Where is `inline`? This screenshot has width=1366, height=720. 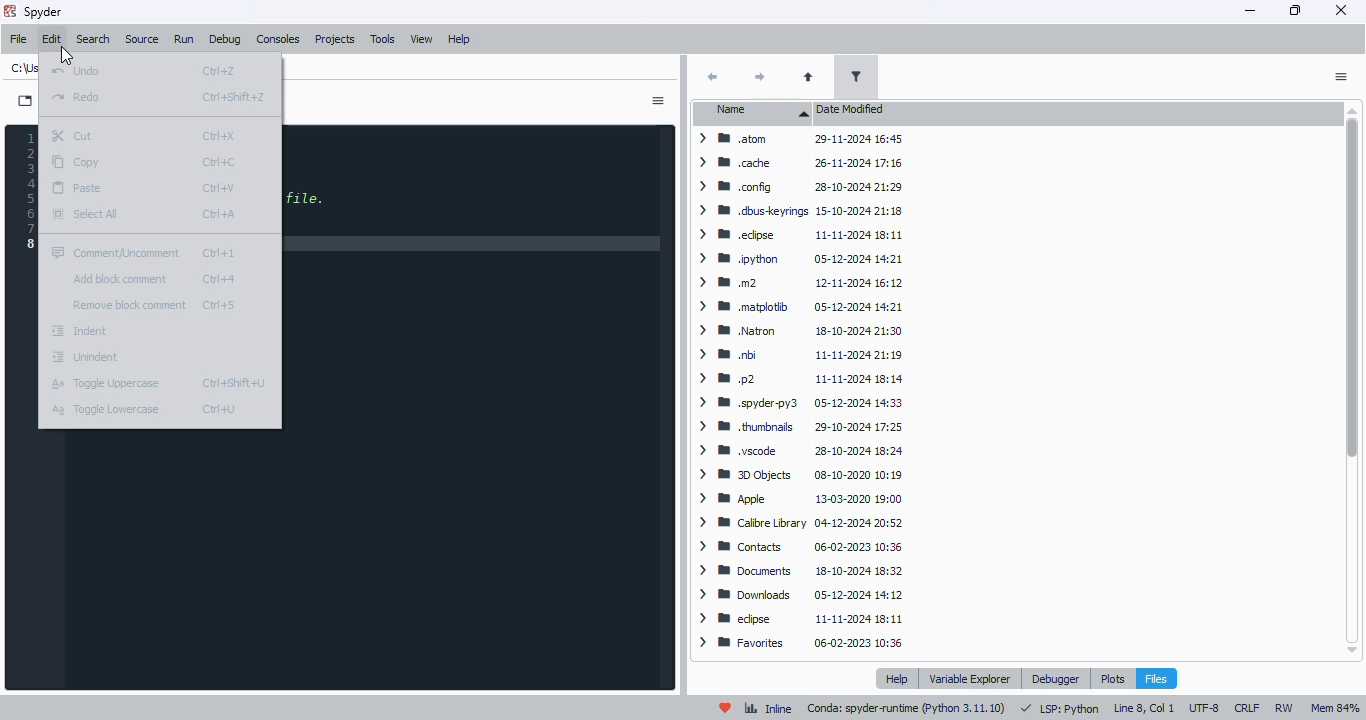
inline is located at coordinates (768, 708).